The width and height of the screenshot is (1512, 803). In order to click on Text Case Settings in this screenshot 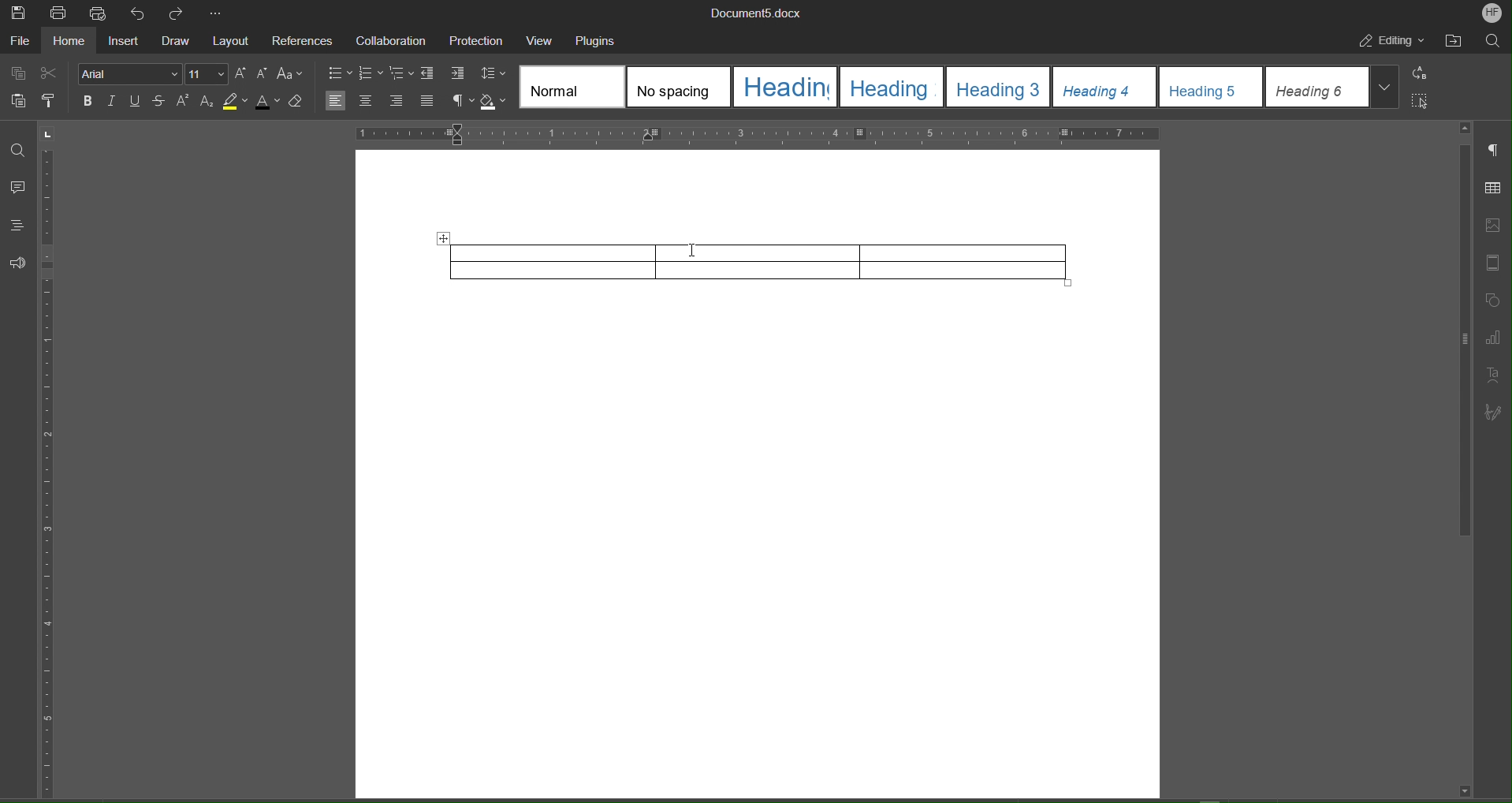, I will do `click(292, 73)`.